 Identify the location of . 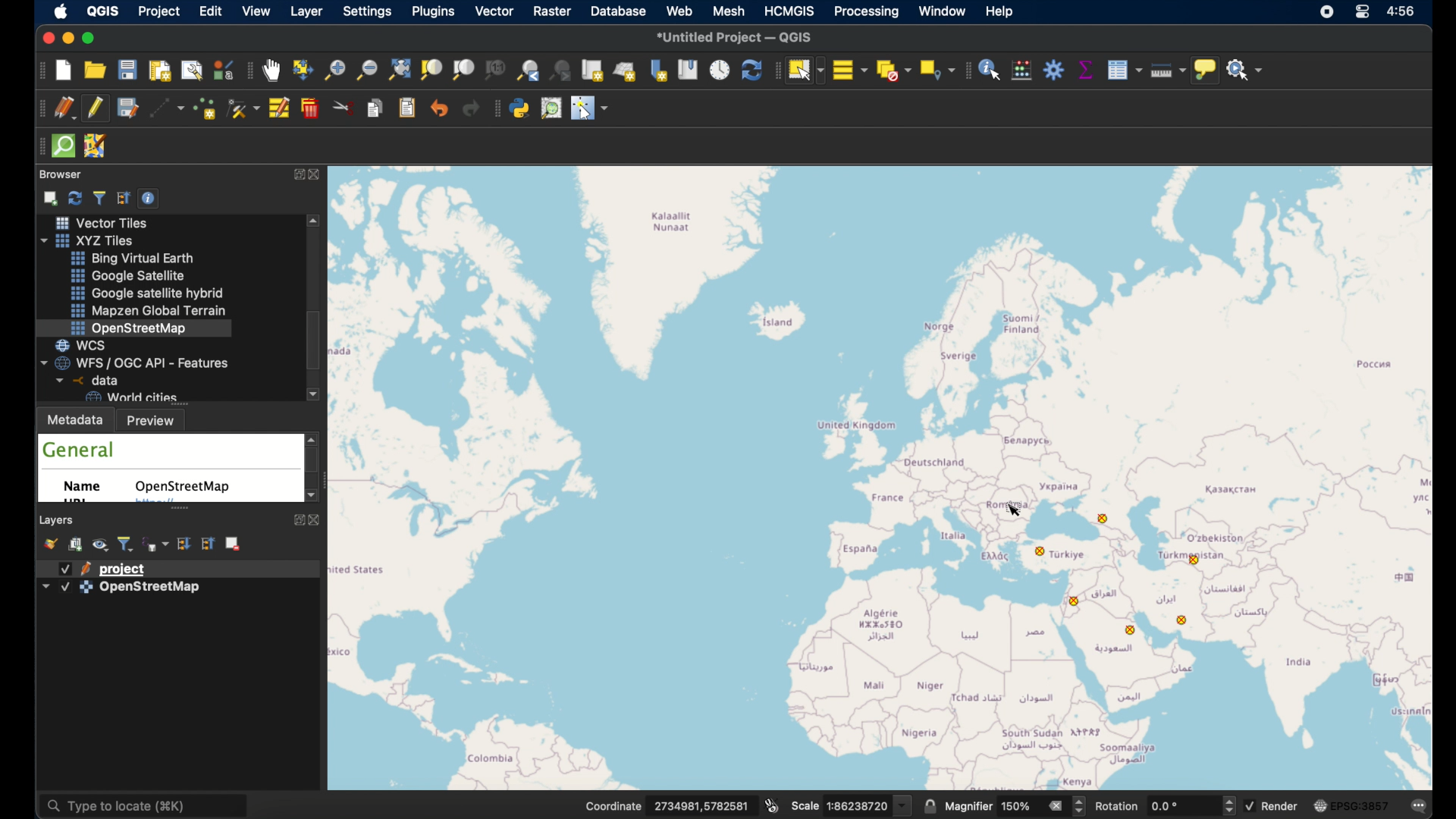
(158, 11).